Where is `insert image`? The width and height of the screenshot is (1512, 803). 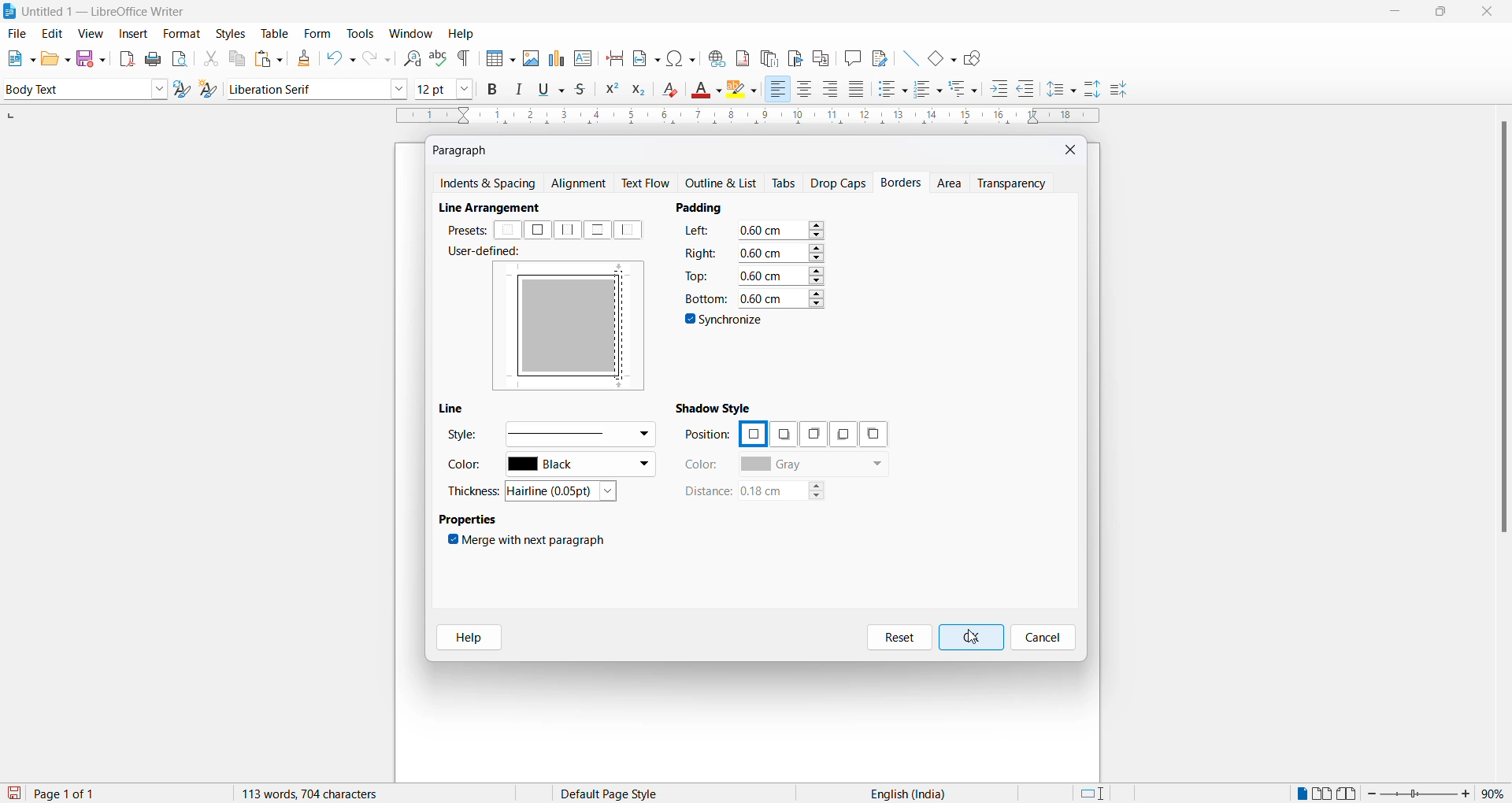 insert image is located at coordinates (497, 60).